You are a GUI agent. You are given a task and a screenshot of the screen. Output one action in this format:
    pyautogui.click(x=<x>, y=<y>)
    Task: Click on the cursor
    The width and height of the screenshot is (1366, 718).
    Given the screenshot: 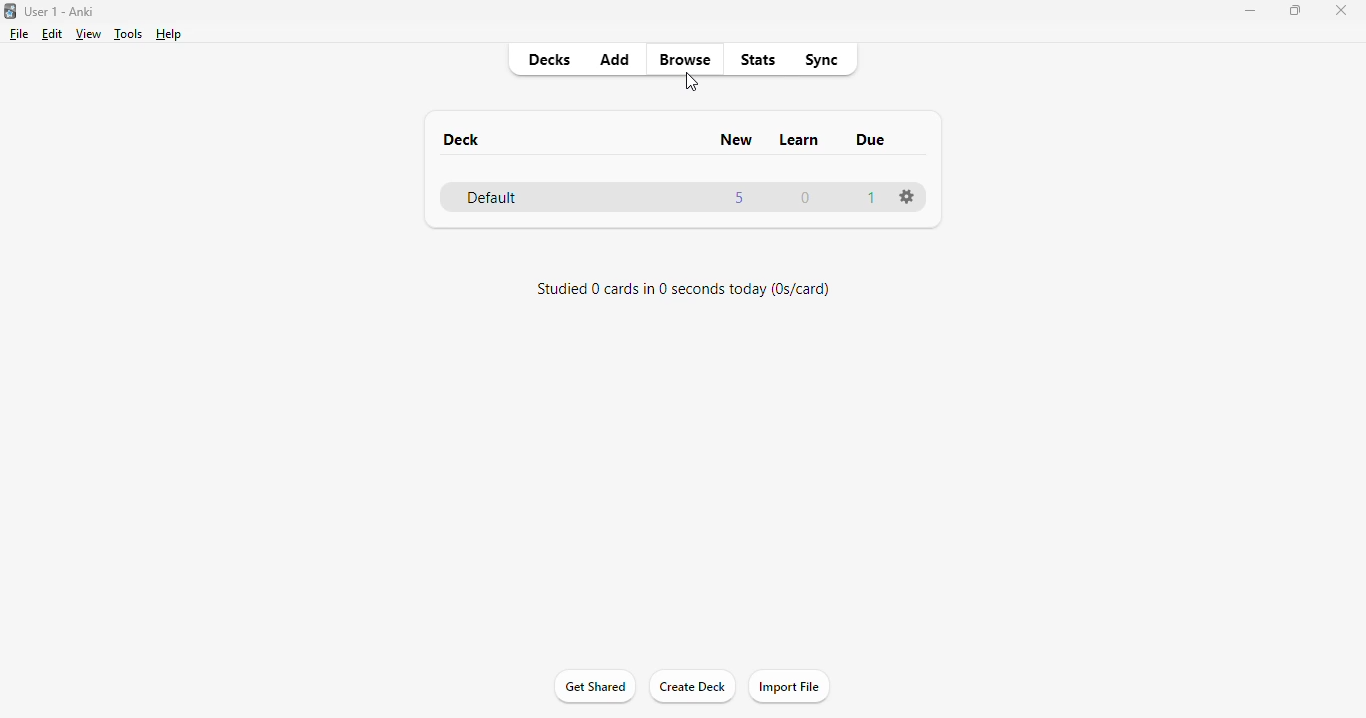 What is the action you would take?
    pyautogui.click(x=690, y=82)
    